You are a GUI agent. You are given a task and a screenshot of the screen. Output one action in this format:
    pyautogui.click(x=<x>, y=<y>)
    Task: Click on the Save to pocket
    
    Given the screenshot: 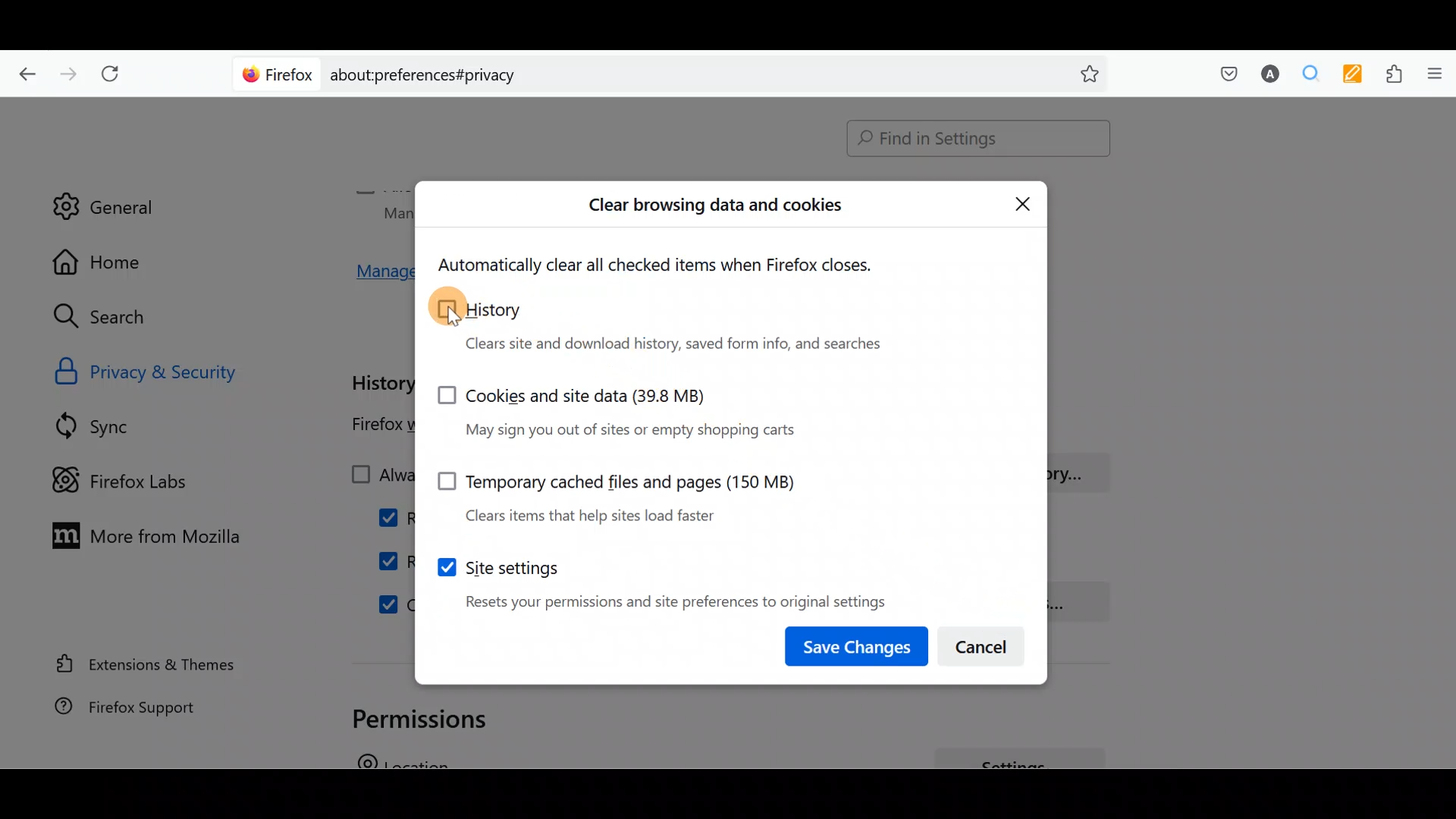 What is the action you would take?
    pyautogui.click(x=1222, y=73)
    